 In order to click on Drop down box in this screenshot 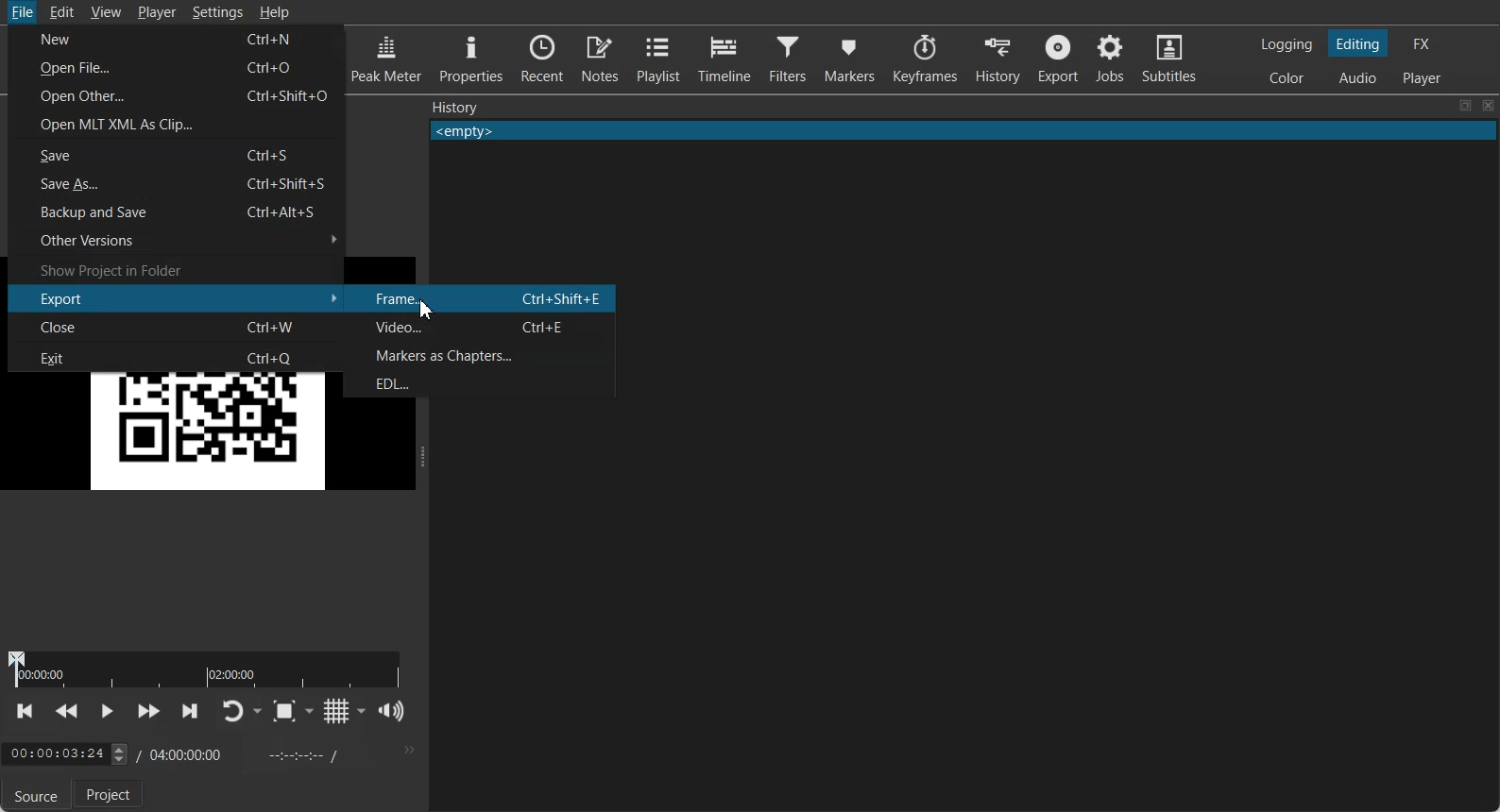, I will do `click(259, 711)`.